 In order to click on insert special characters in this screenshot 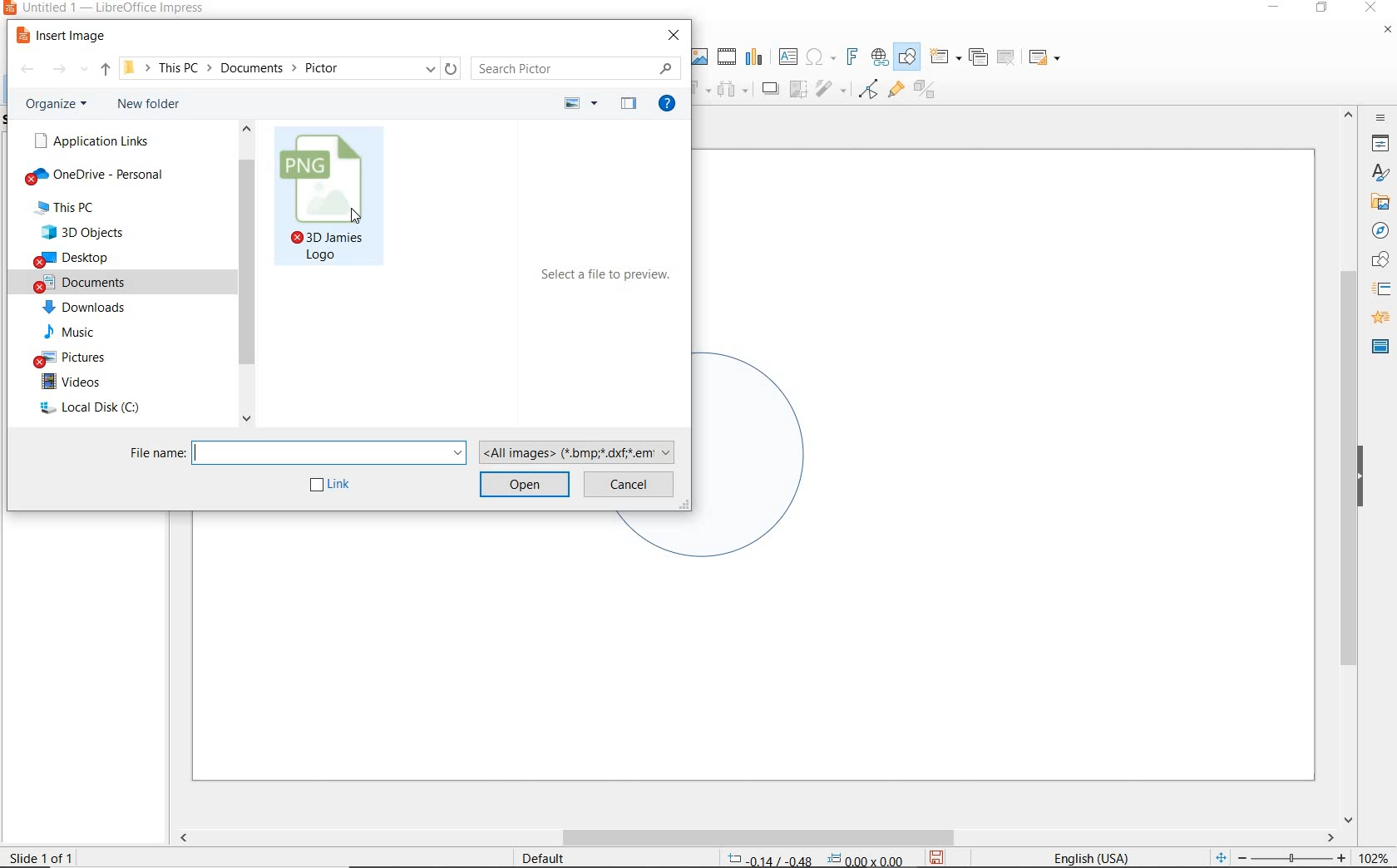, I will do `click(817, 55)`.